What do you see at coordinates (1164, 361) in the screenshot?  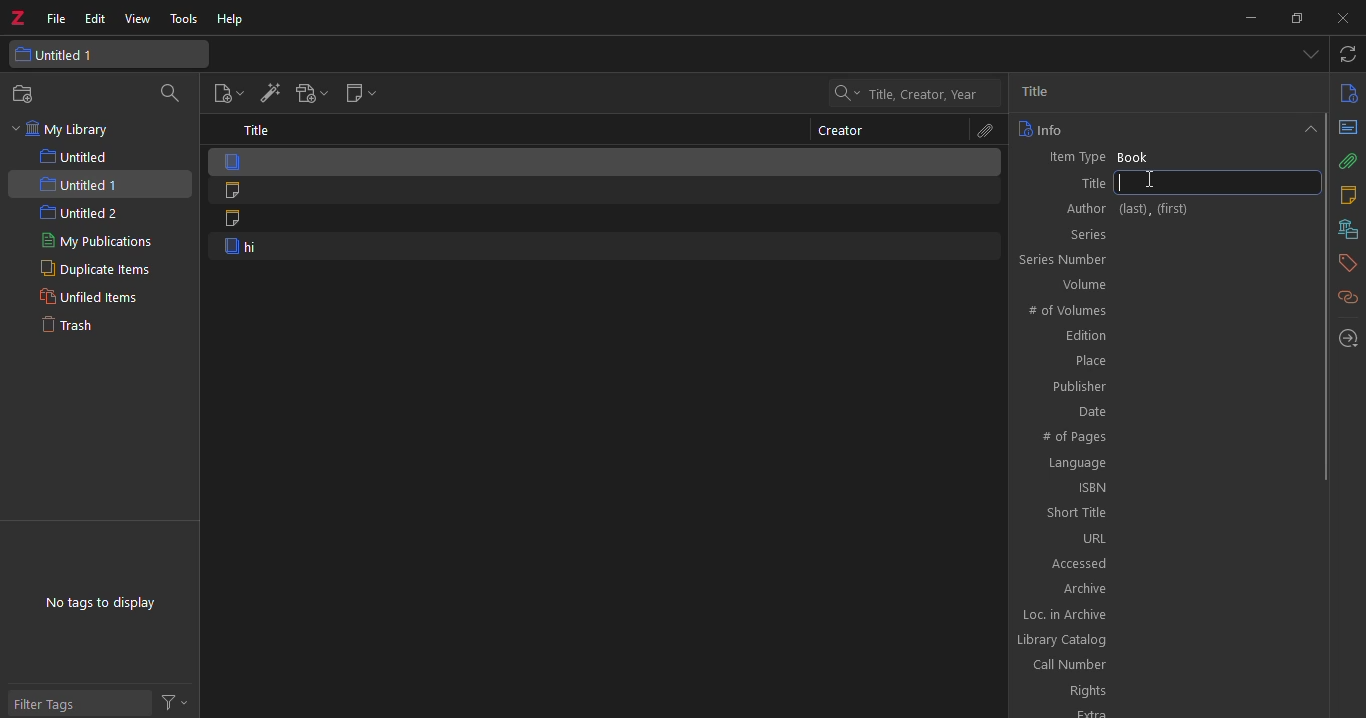 I see `Place` at bounding box center [1164, 361].